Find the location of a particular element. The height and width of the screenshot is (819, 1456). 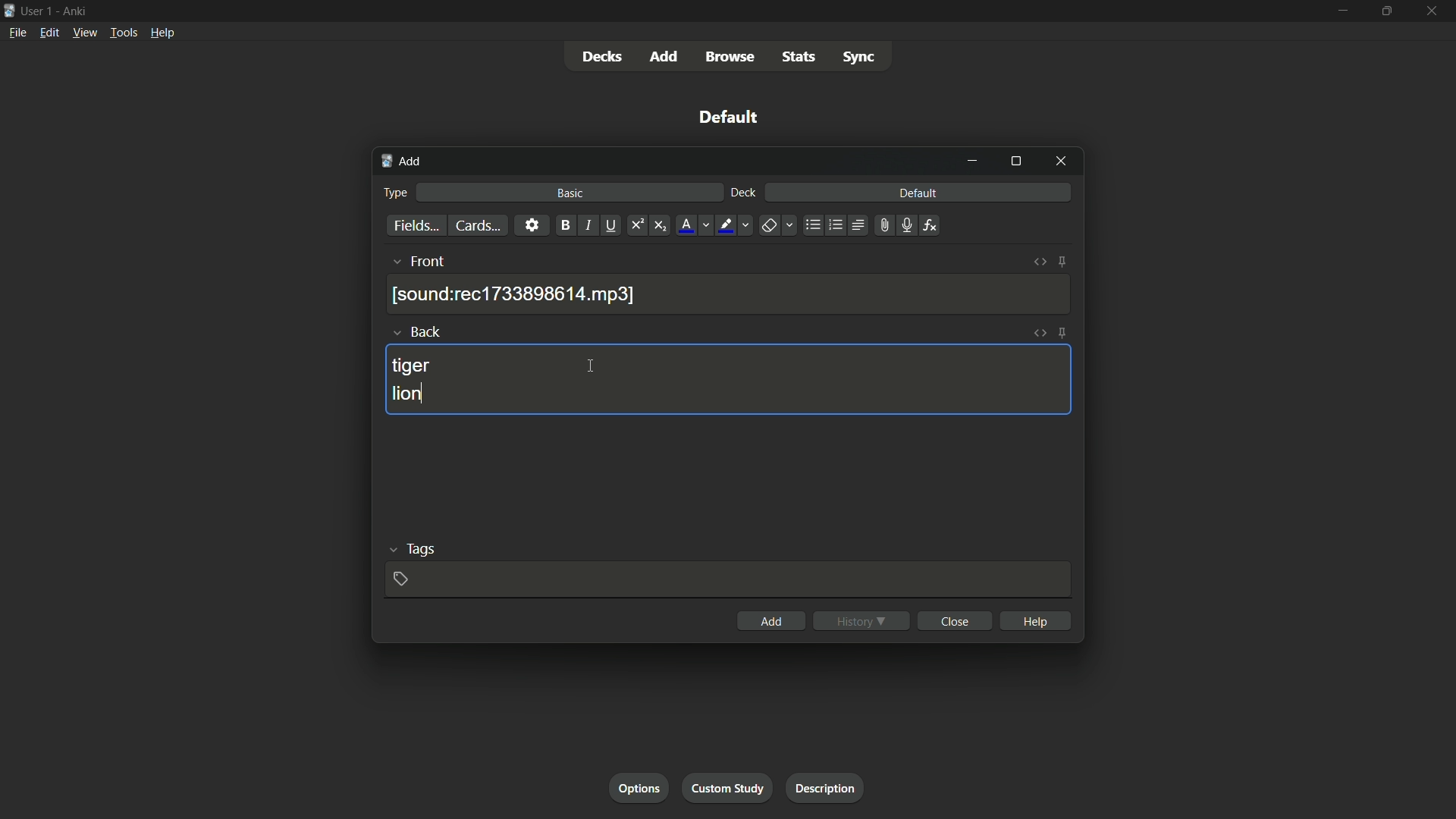

add is located at coordinates (665, 56).